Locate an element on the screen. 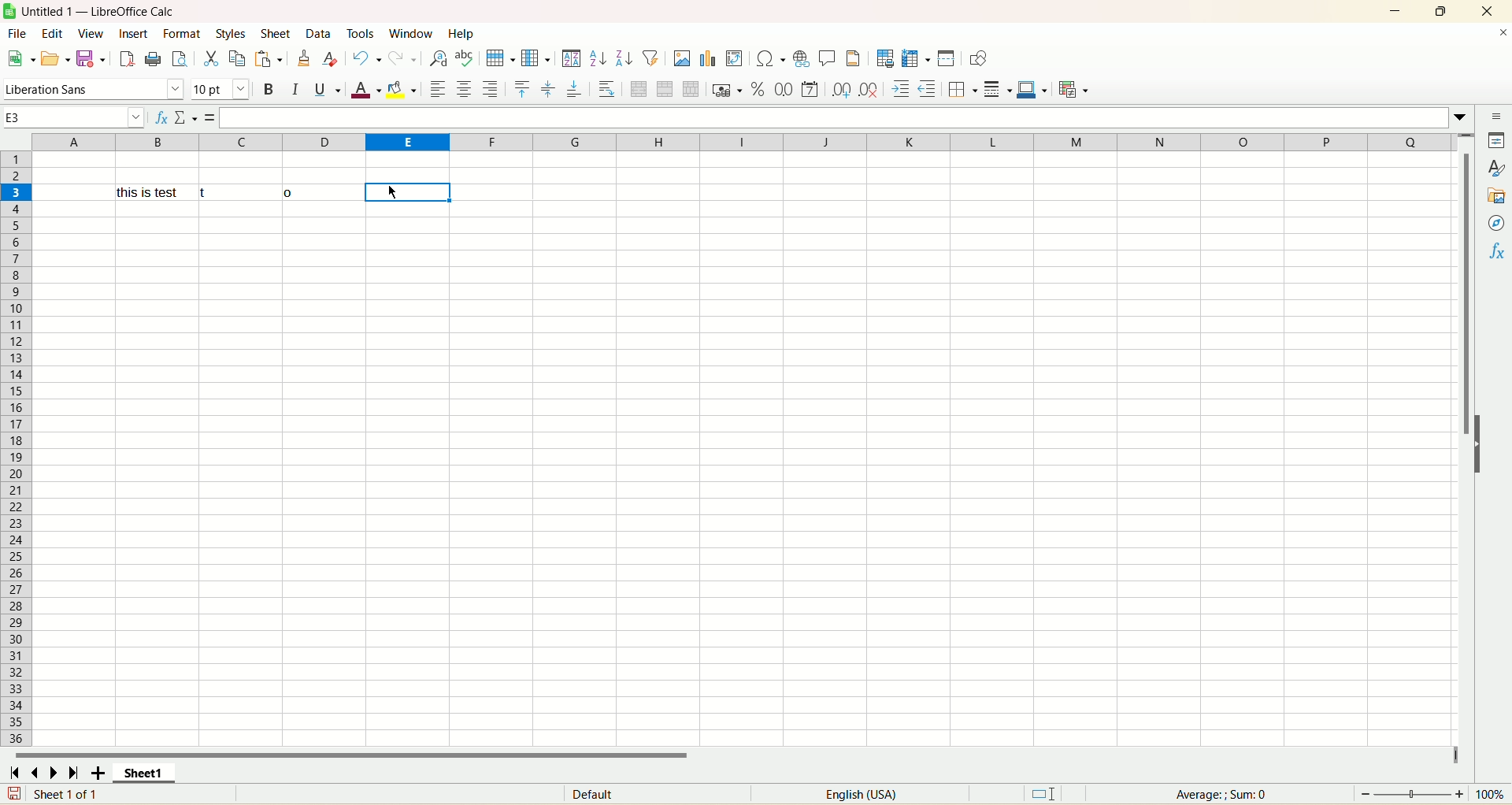 The image size is (1512, 805). logo is located at coordinates (9, 12).